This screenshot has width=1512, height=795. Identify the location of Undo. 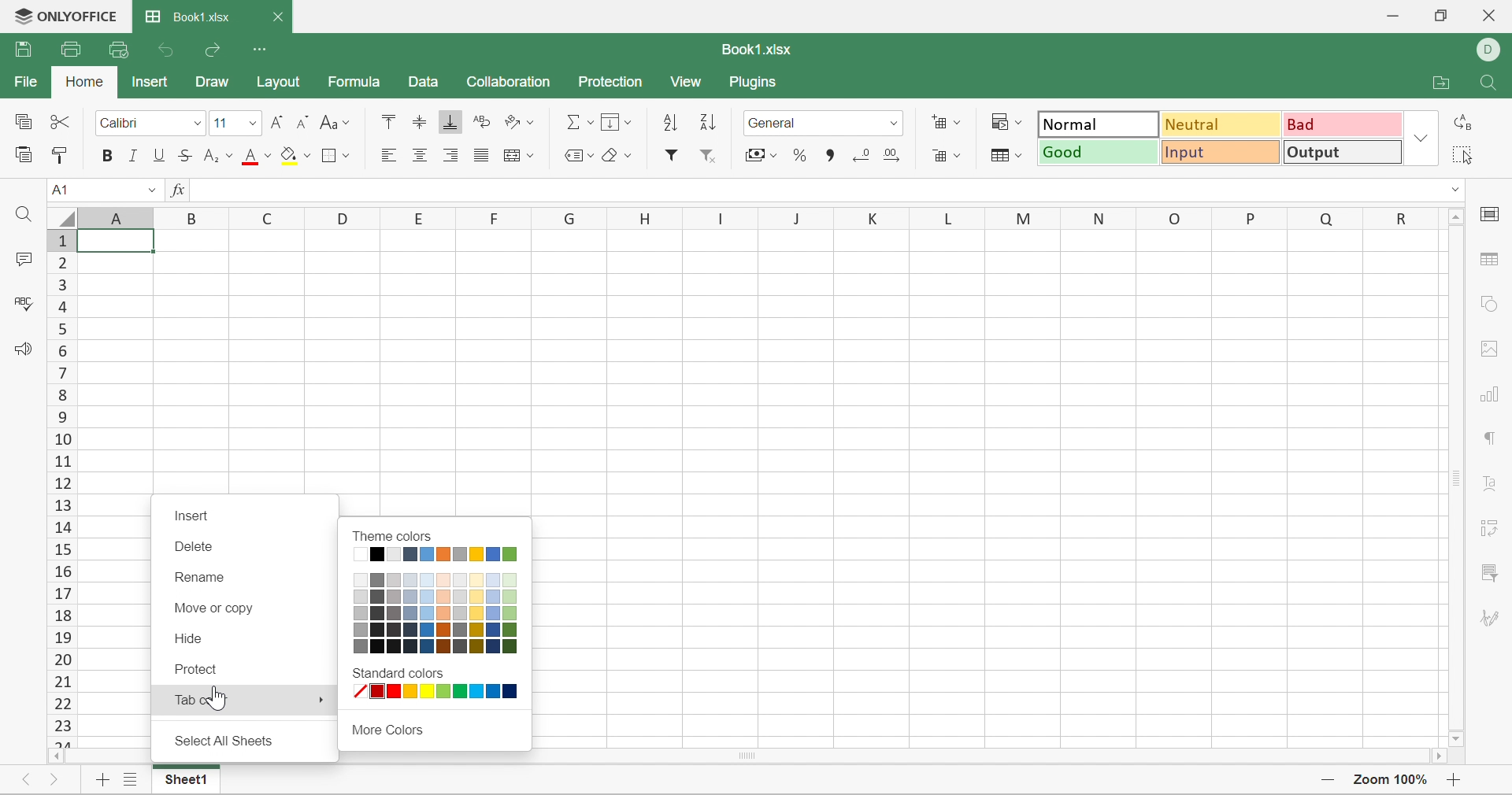
(169, 52).